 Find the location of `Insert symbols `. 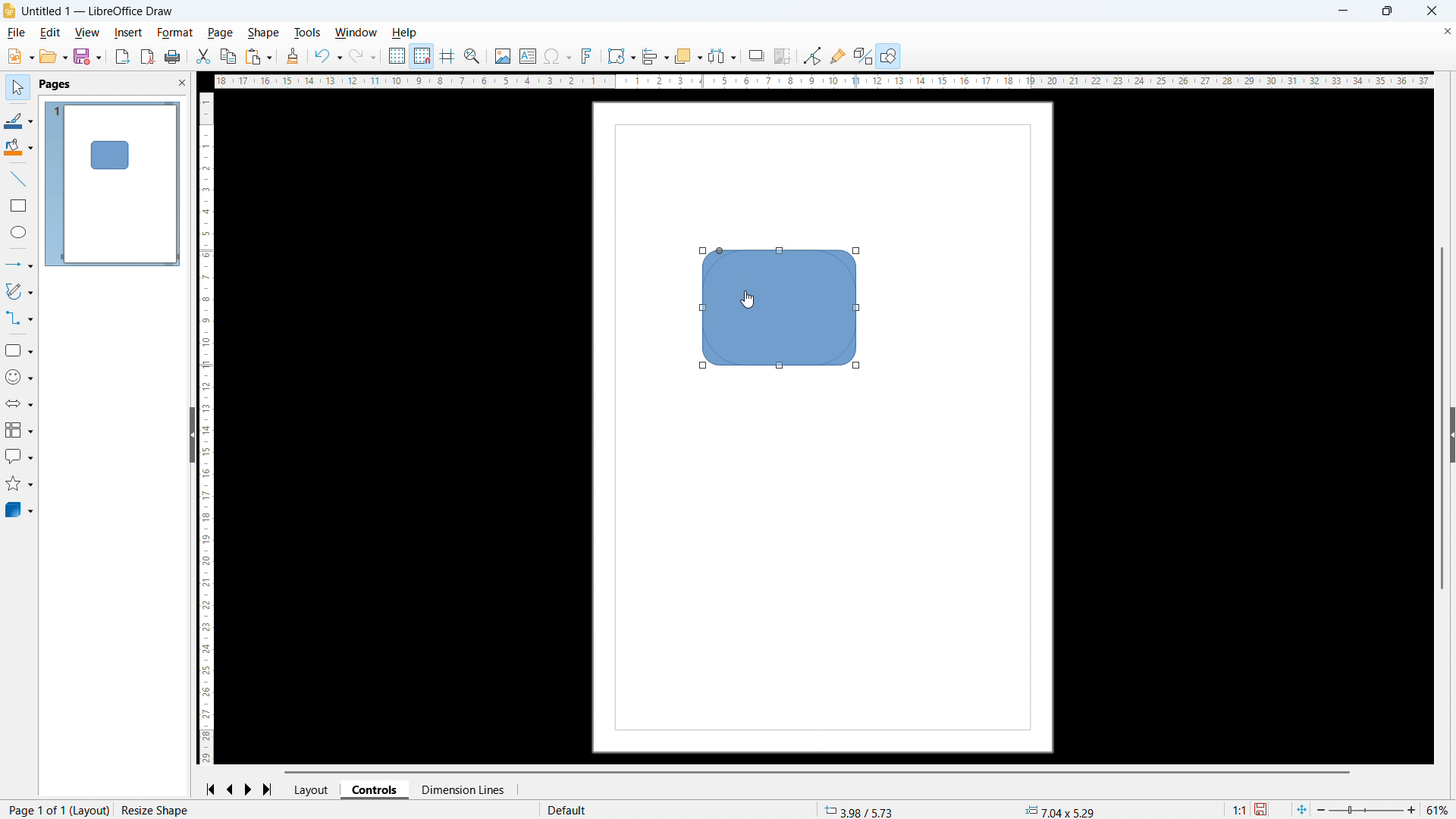

Insert symbols  is located at coordinates (557, 57).